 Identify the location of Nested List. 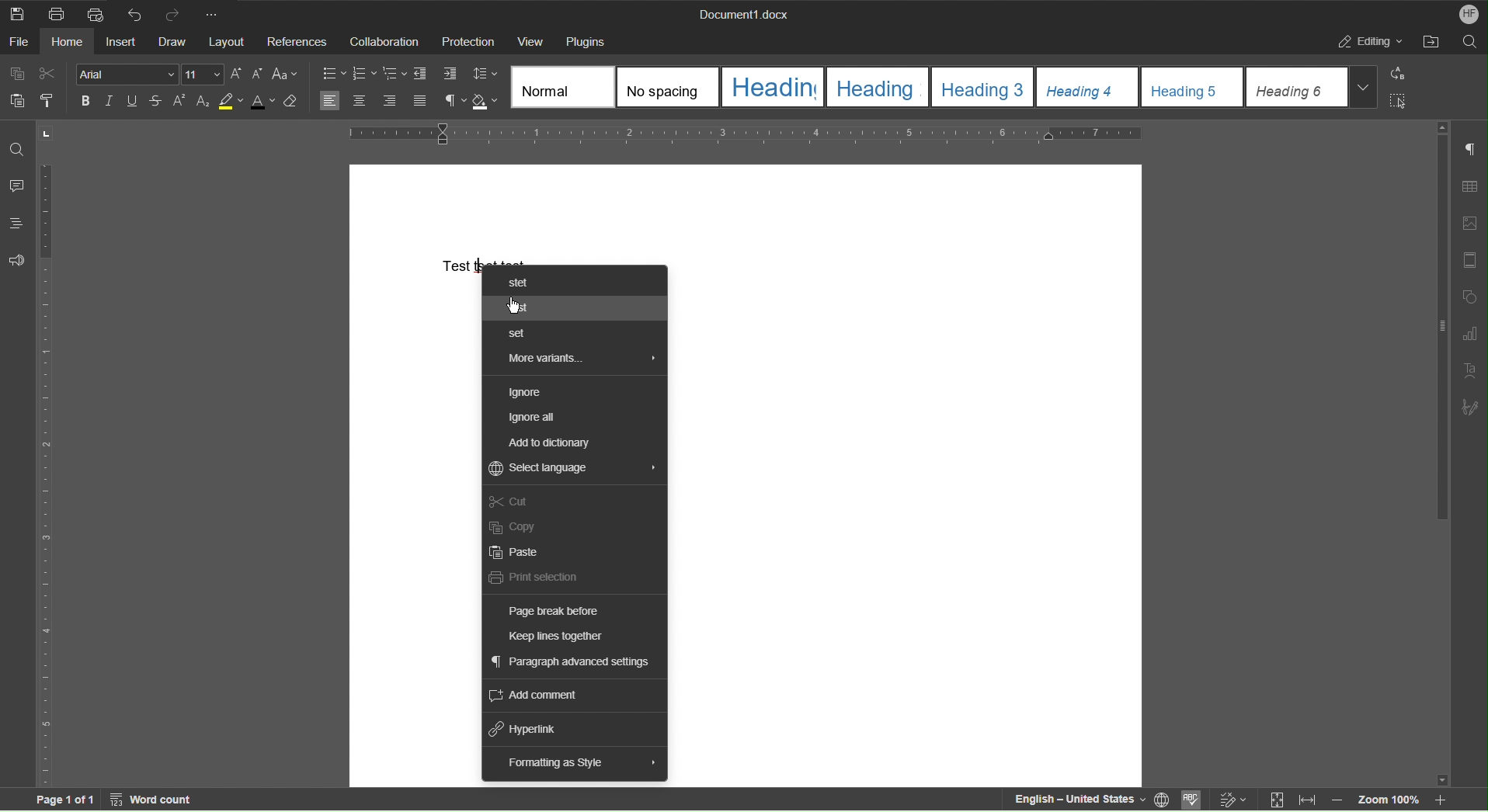
(395, 74).